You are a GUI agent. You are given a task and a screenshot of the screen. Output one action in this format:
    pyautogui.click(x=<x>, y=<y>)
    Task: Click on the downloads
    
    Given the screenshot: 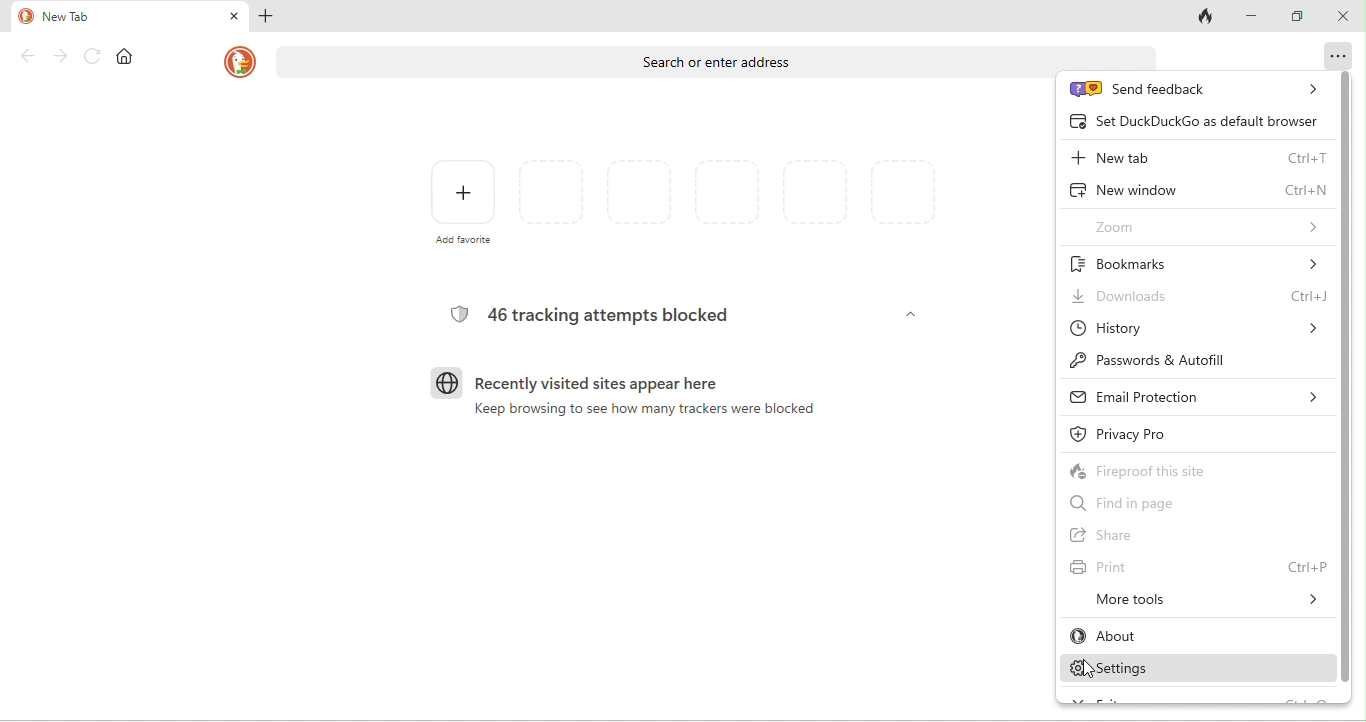 What is the action you would take?
    pyautogui.click(x=1197, y=298)
    